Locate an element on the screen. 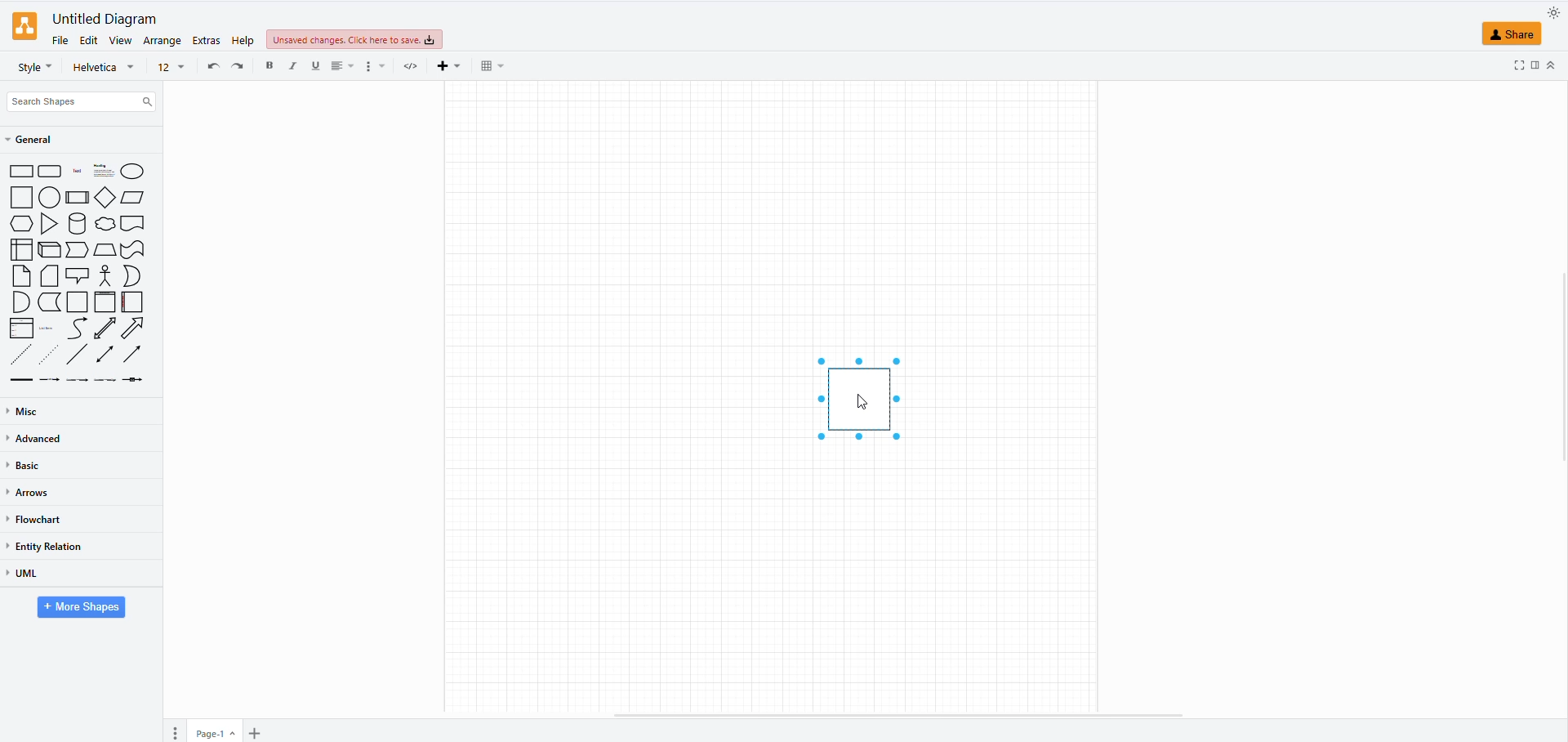 This screenshot has width=1568, height=742. connector with symbol is located at coordinates (136, 382).